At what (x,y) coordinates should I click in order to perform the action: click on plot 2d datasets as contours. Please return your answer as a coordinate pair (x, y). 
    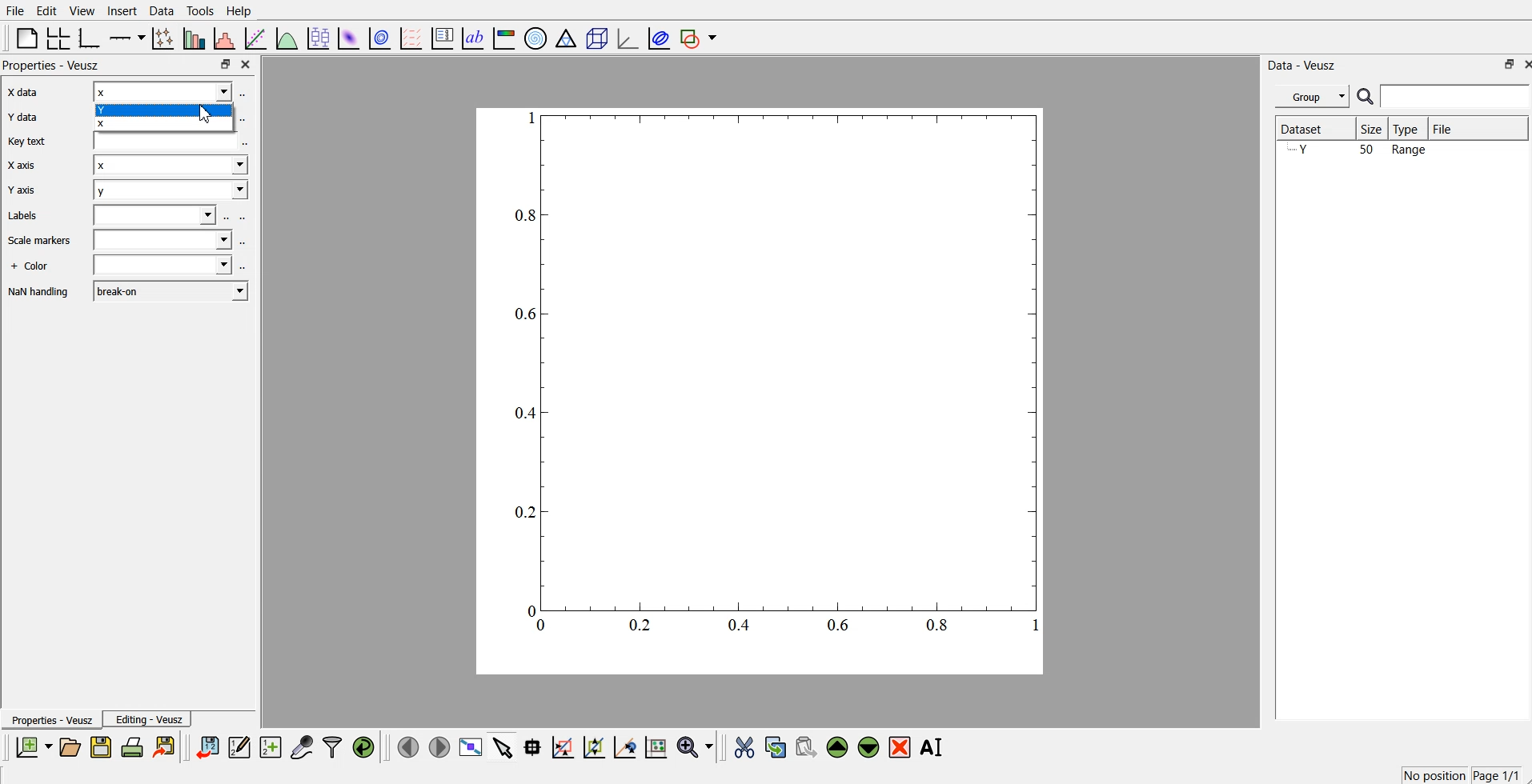
    Looking at the image, I should click on (380, 36).